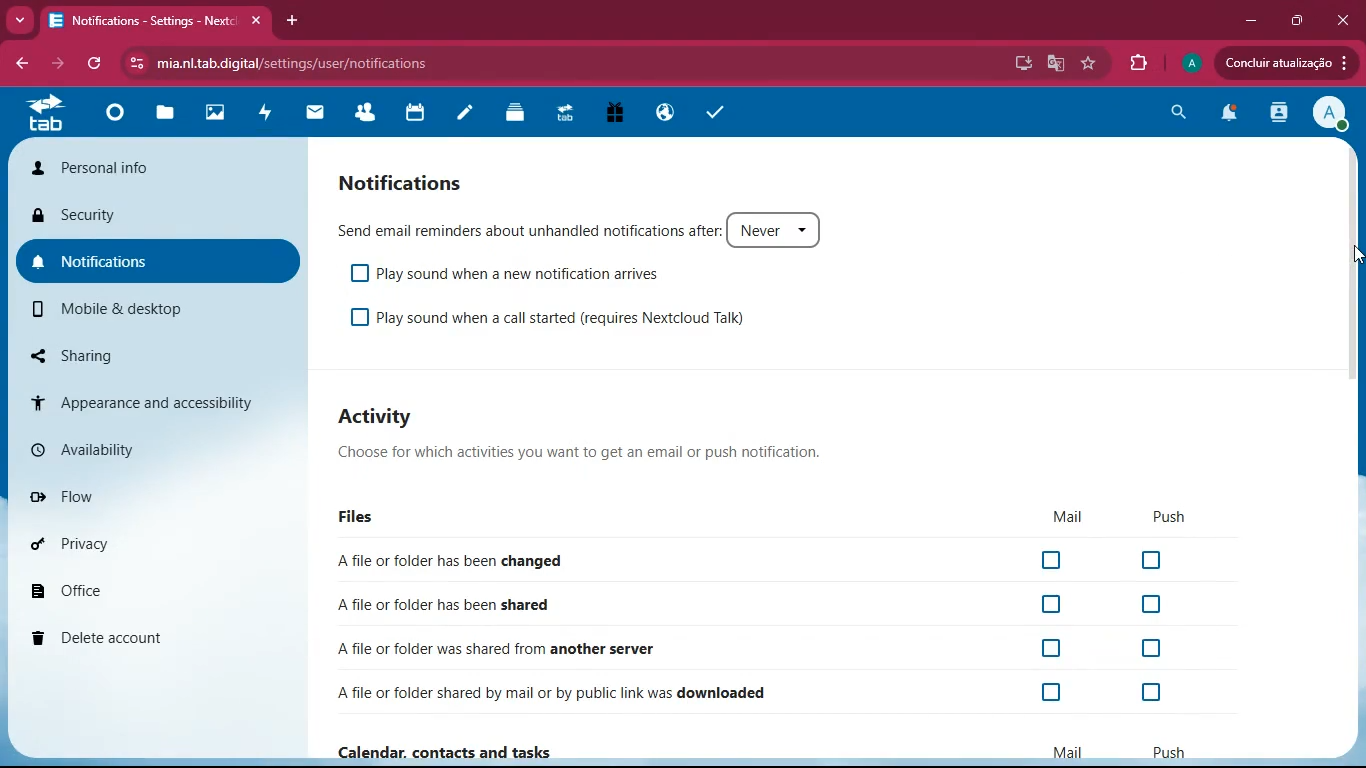  What do you see at coordinates (1092, 65) in the screenshot?
I see `favourite` at bounding box center [1092, 65].